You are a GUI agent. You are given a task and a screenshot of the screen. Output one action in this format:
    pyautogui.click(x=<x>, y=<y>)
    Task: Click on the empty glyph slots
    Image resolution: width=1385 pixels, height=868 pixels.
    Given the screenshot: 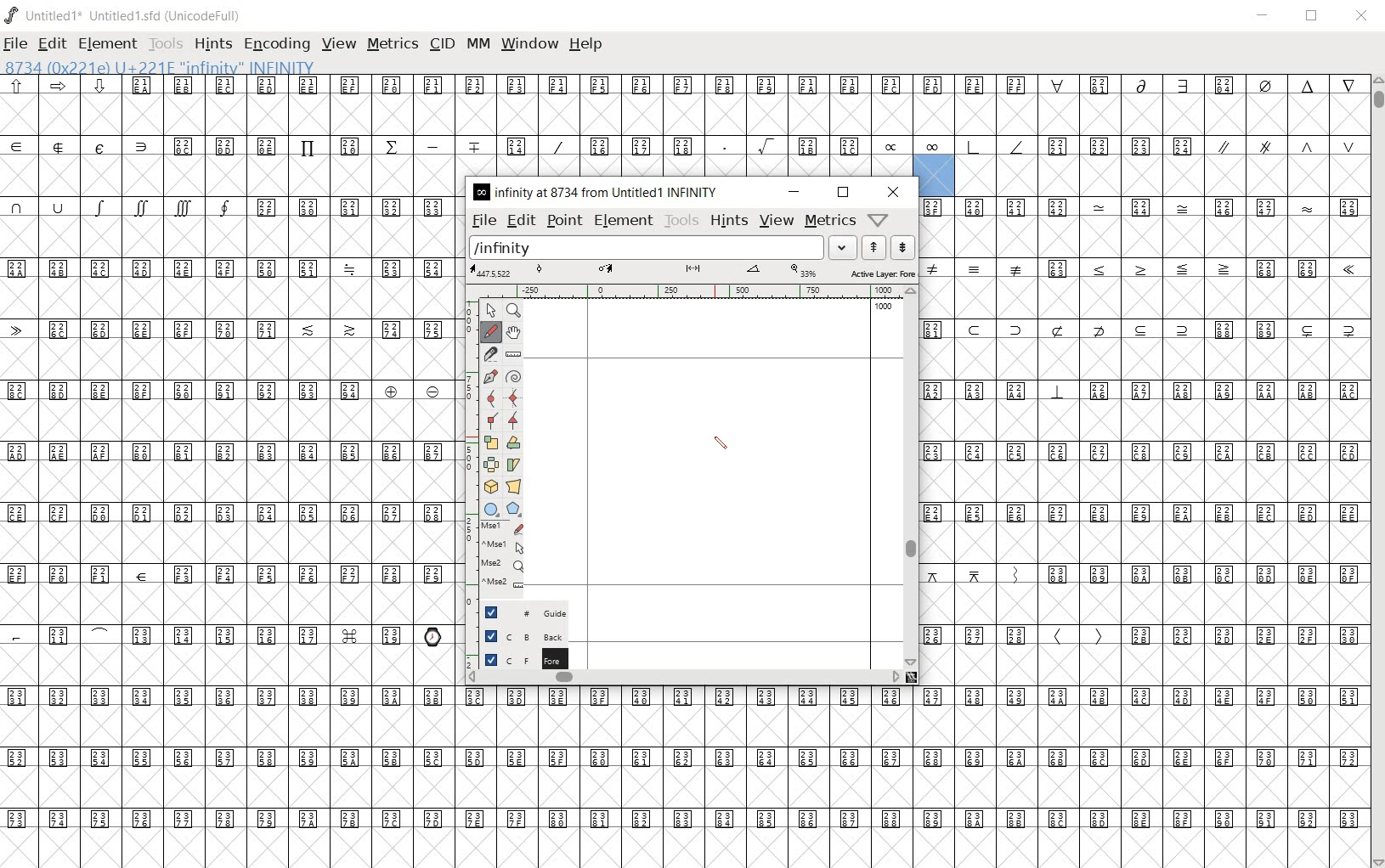 What is the action you would take?
    pyautogui.click(x=1143, y=541)
    